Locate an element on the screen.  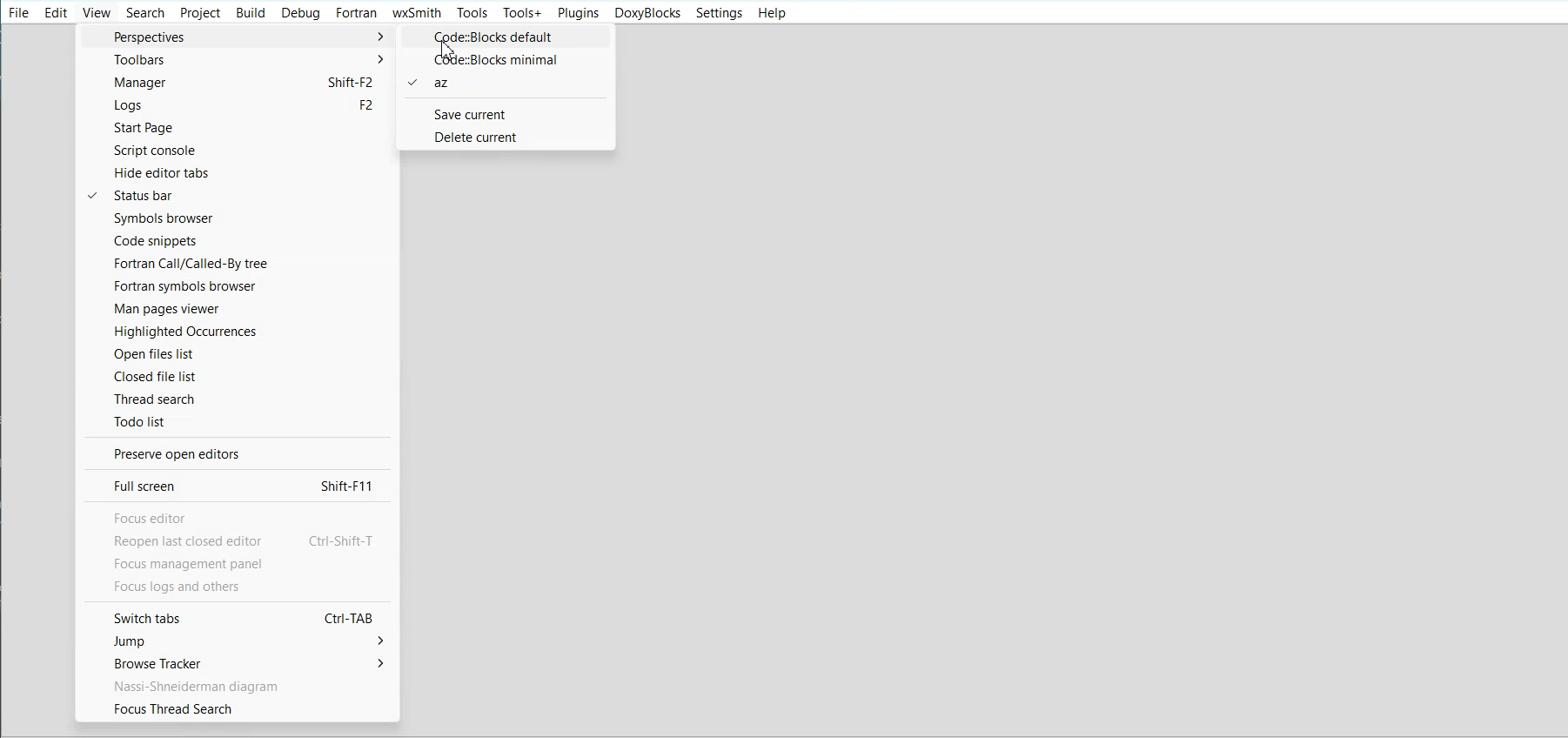
Code:: Blocks default is located at coordinates (502, 38).